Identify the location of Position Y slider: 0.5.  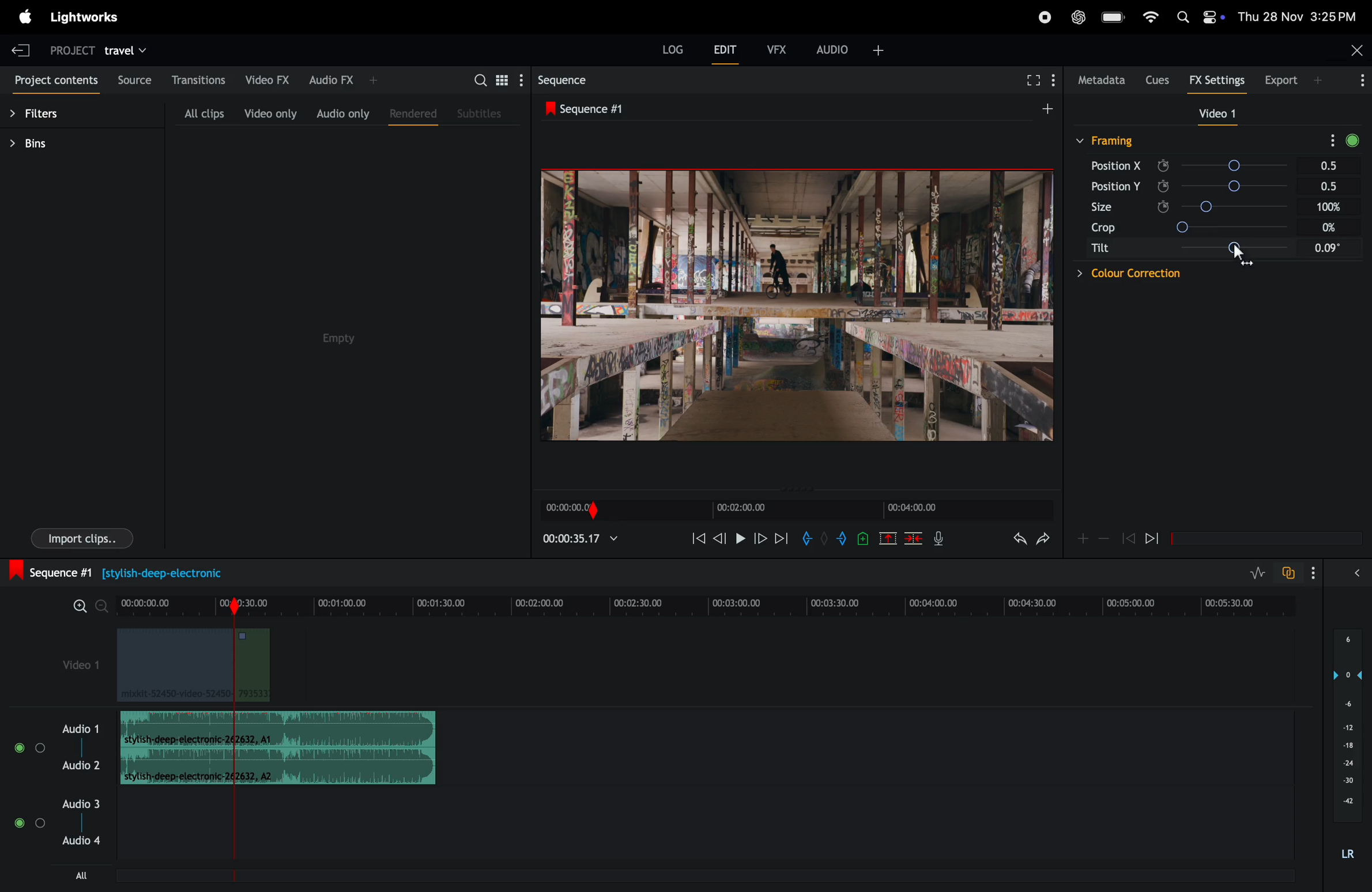
(1260, 187).